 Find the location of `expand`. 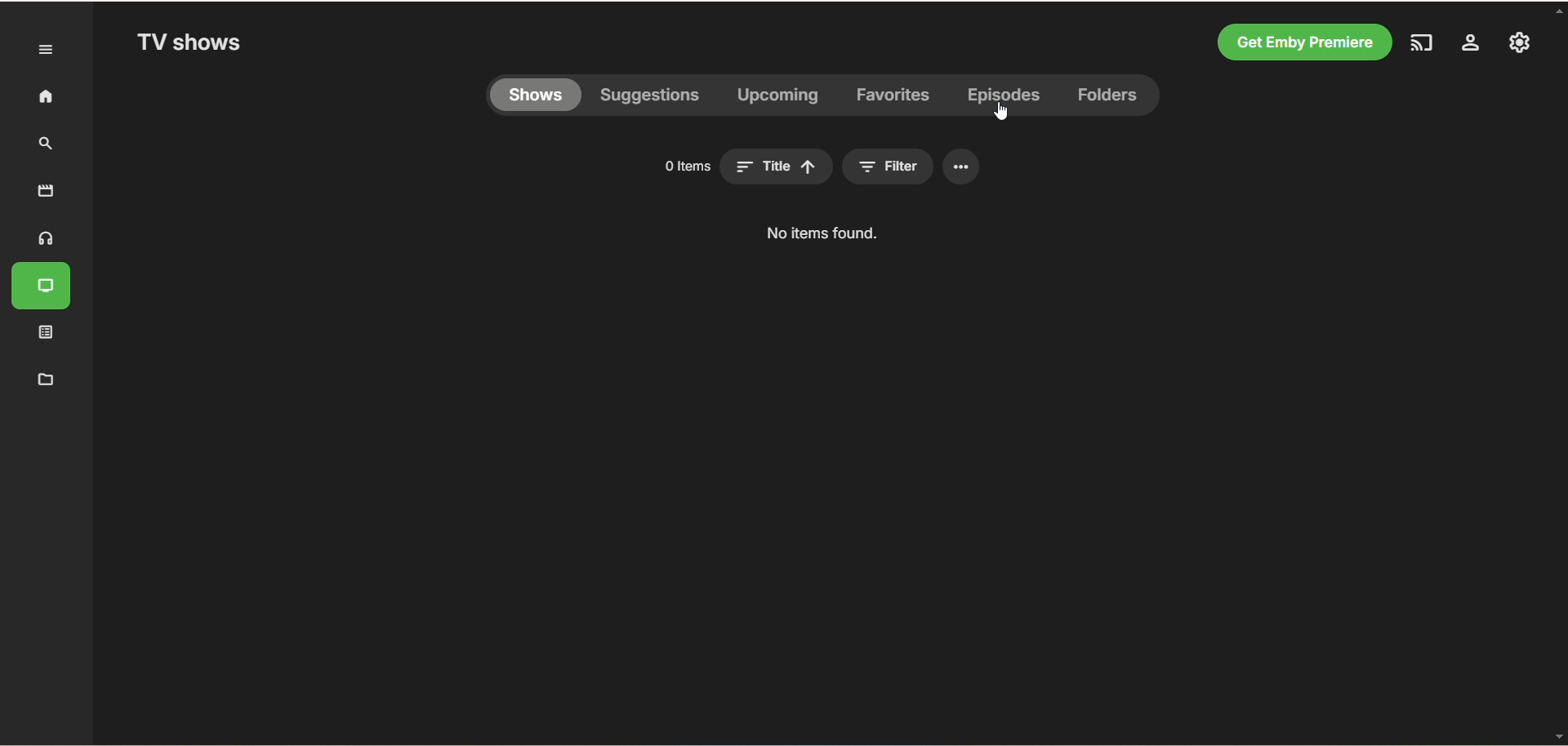

expand is located at coordinates (45, 49).